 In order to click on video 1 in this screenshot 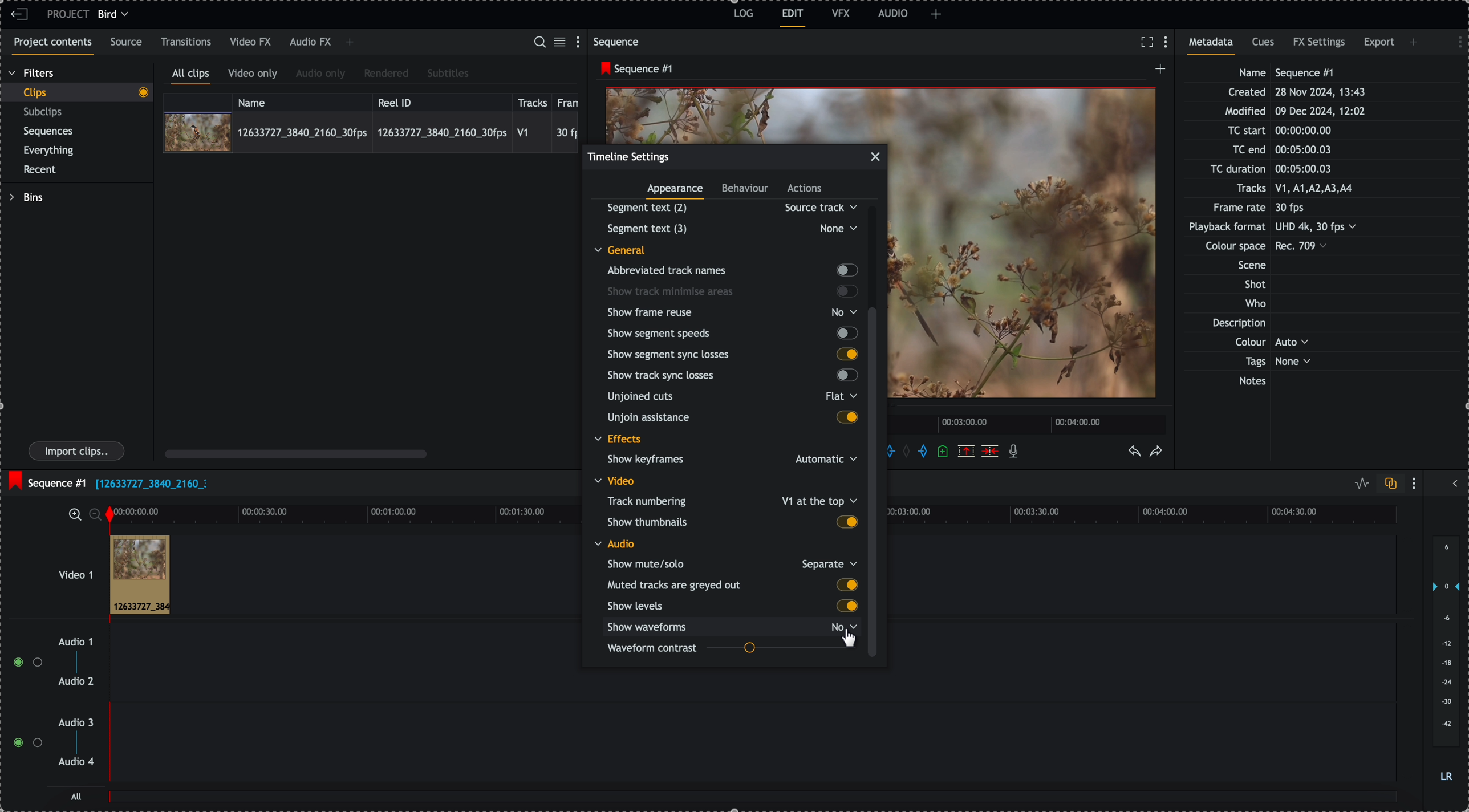, I will do `click(60, 569)`.